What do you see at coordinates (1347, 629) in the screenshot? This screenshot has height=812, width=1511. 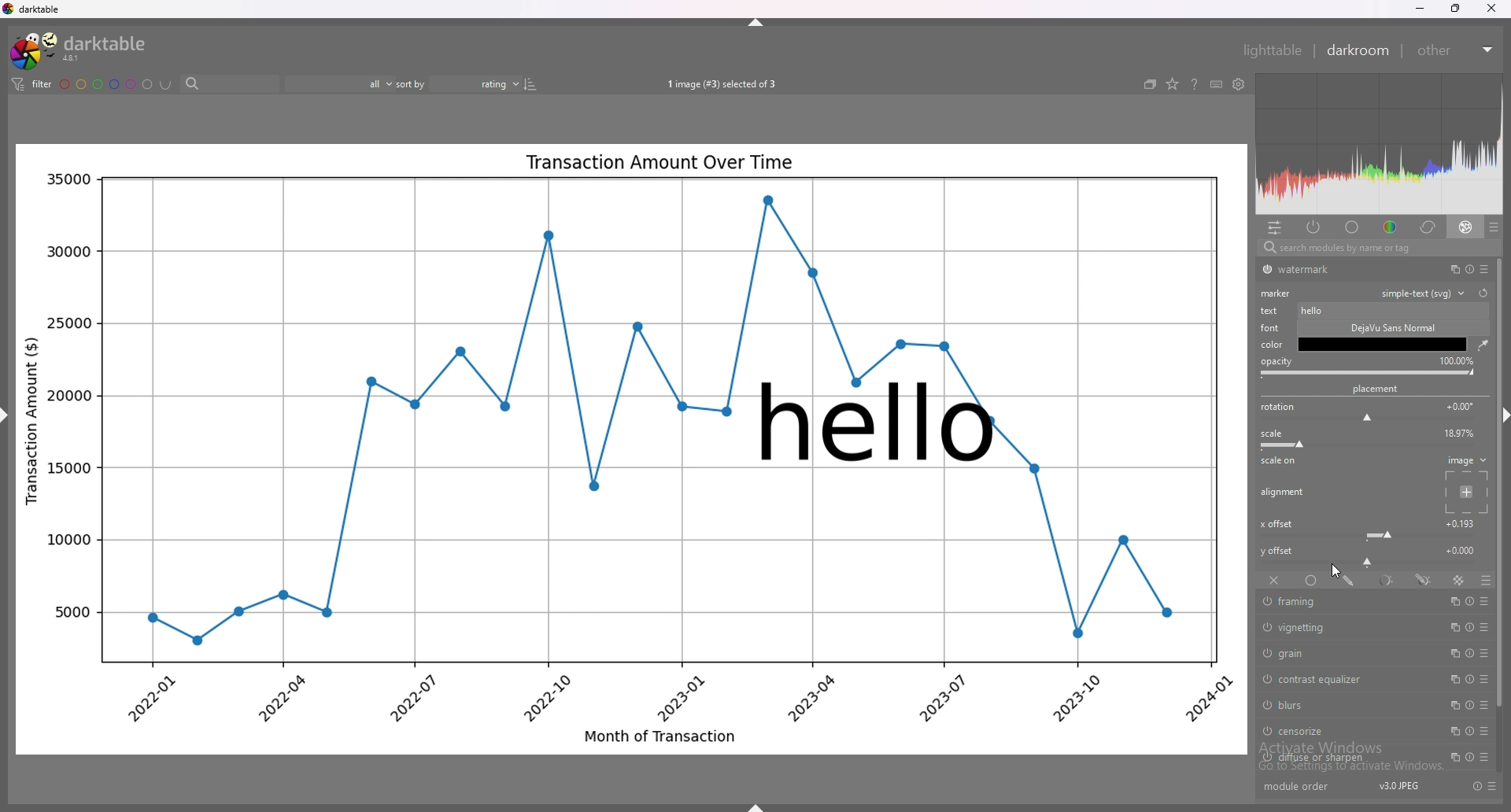 I see `vignetting` at bounding box center [1347, 629].